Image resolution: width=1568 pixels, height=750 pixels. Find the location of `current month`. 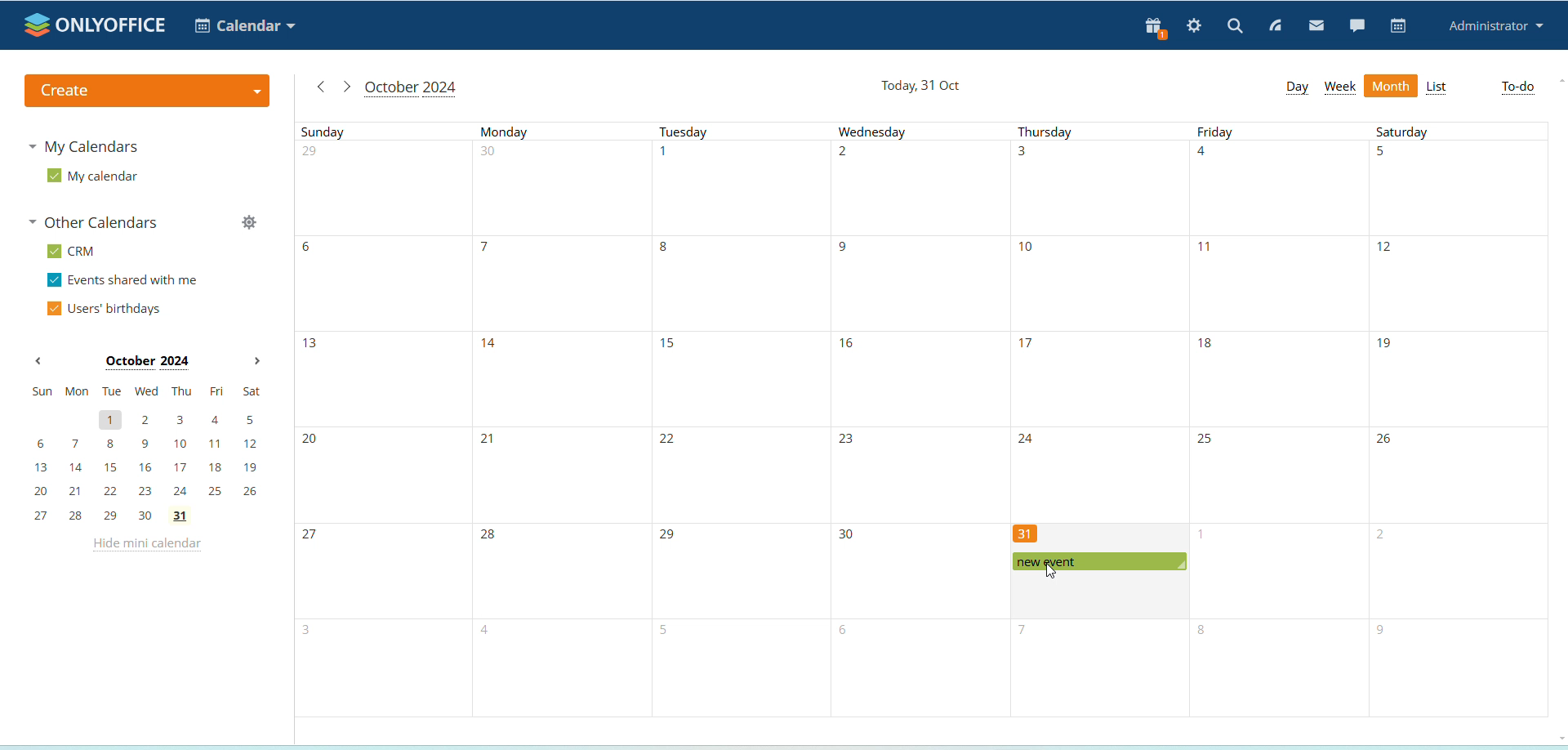

current month is located at coordinates (410, 89).